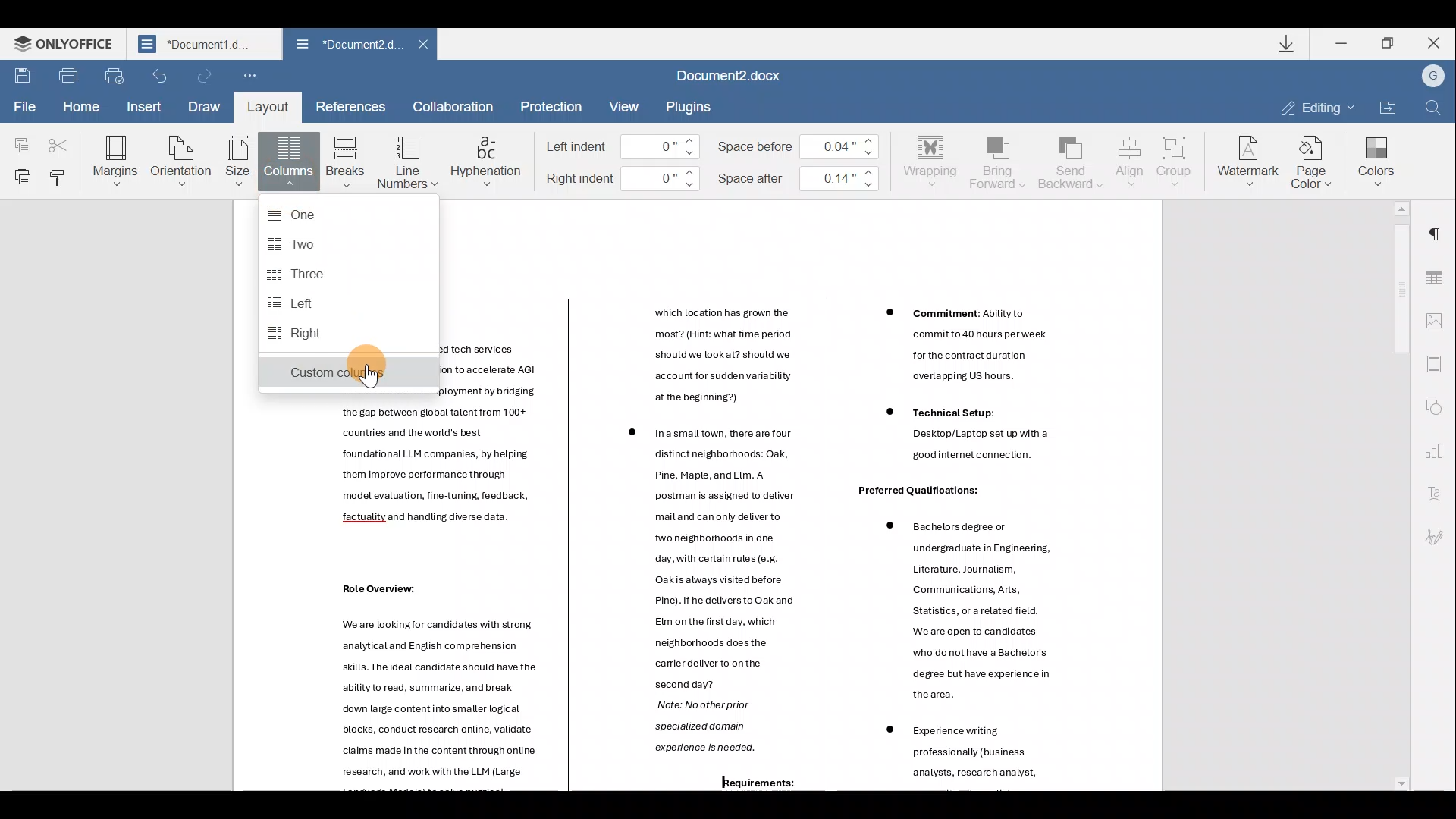  I want to click on Size, so click(238, 162).